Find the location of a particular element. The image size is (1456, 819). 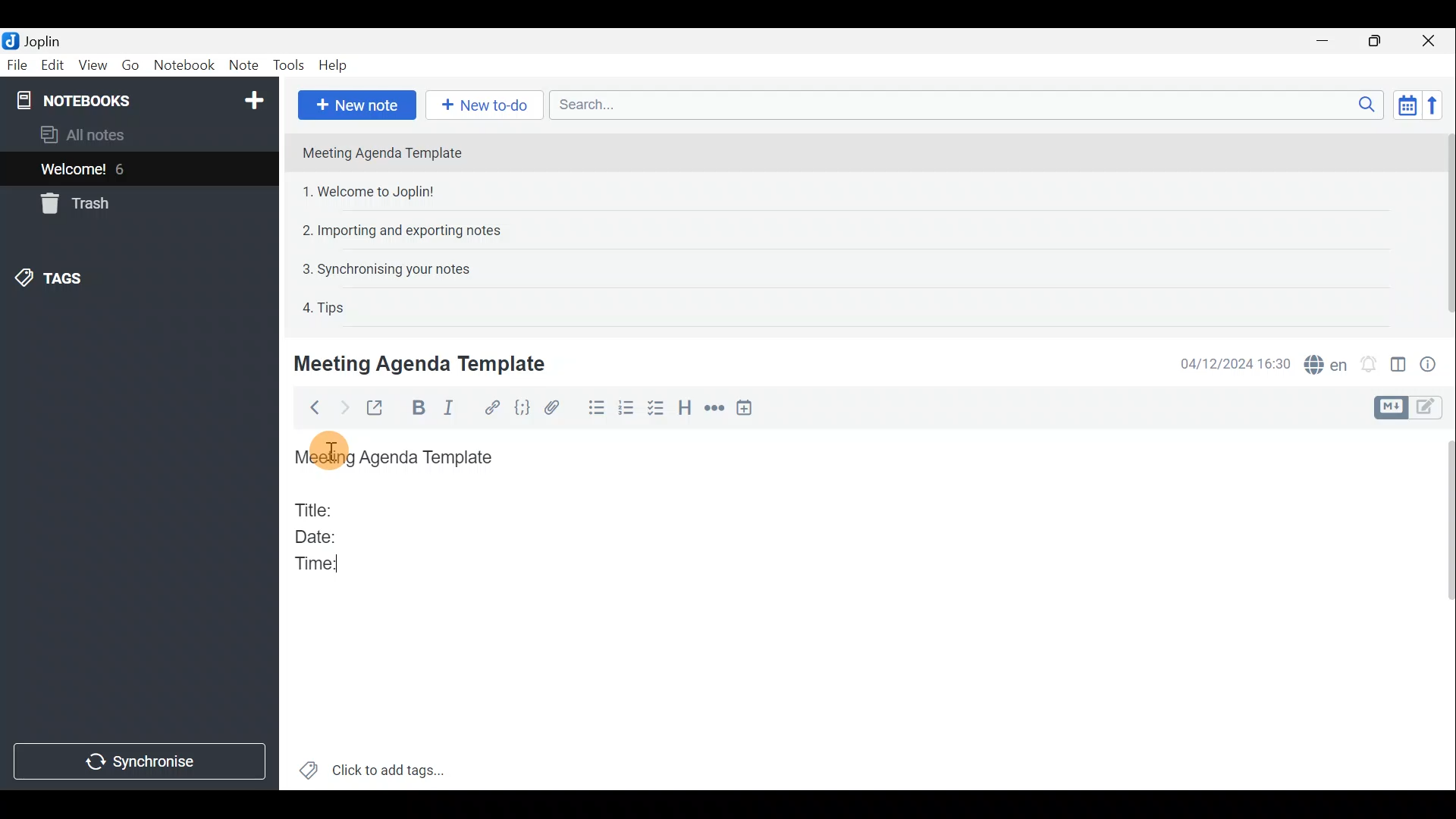

Trash is located at coordinates (72, 203).